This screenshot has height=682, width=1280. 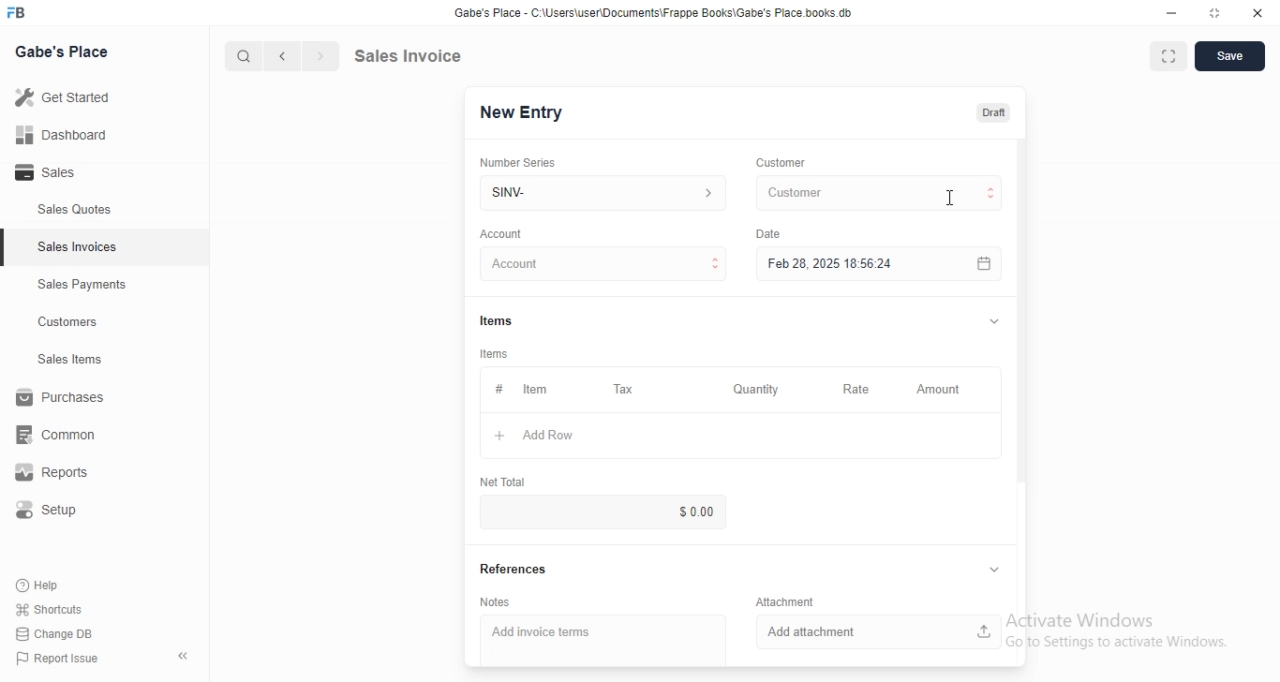 What do you see at coordinates (1230, 57) in the screenshot?
I see `Save` at bounding box center [1230, 57].